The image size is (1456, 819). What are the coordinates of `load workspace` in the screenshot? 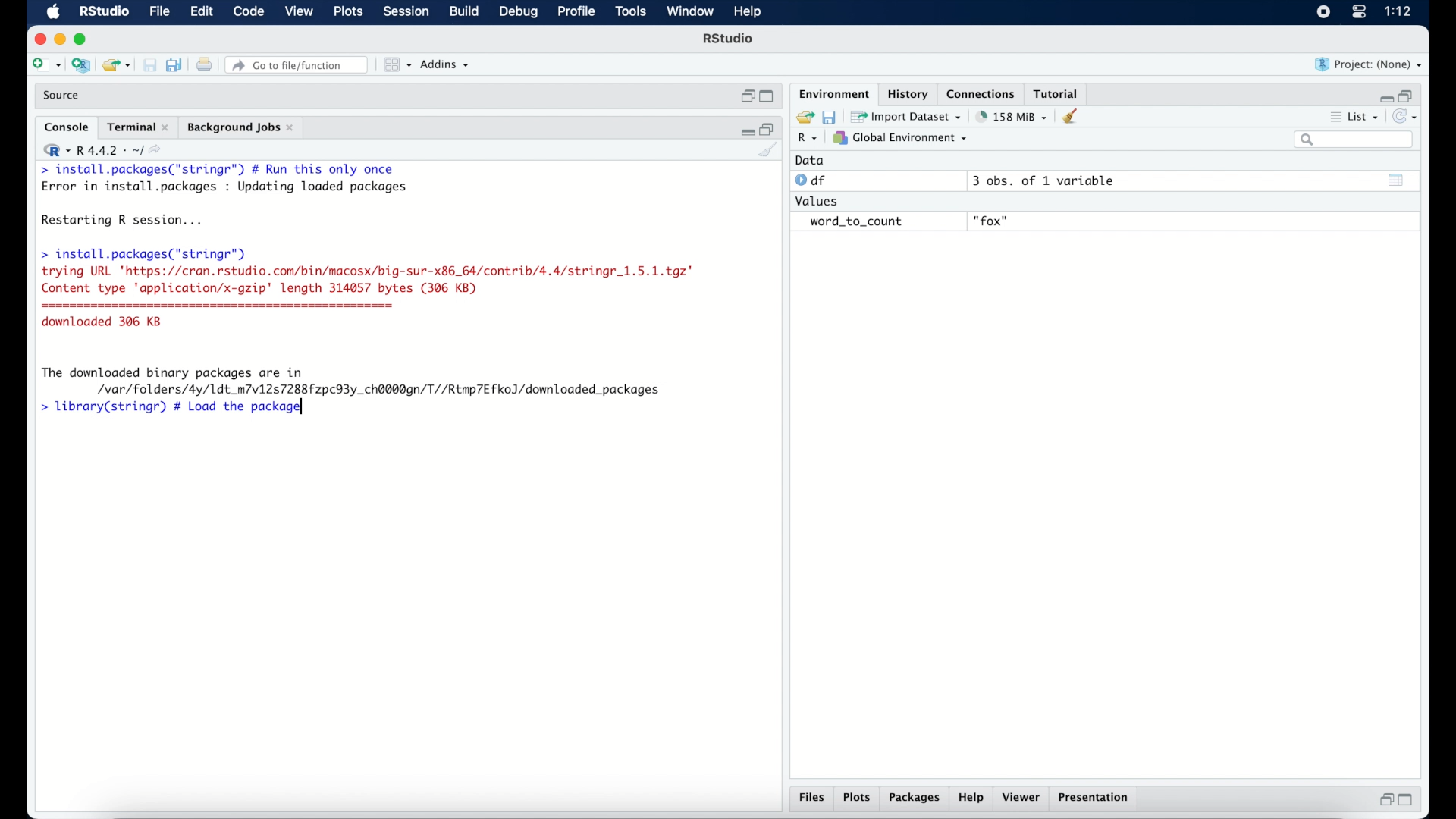 It's located at (802, 118).